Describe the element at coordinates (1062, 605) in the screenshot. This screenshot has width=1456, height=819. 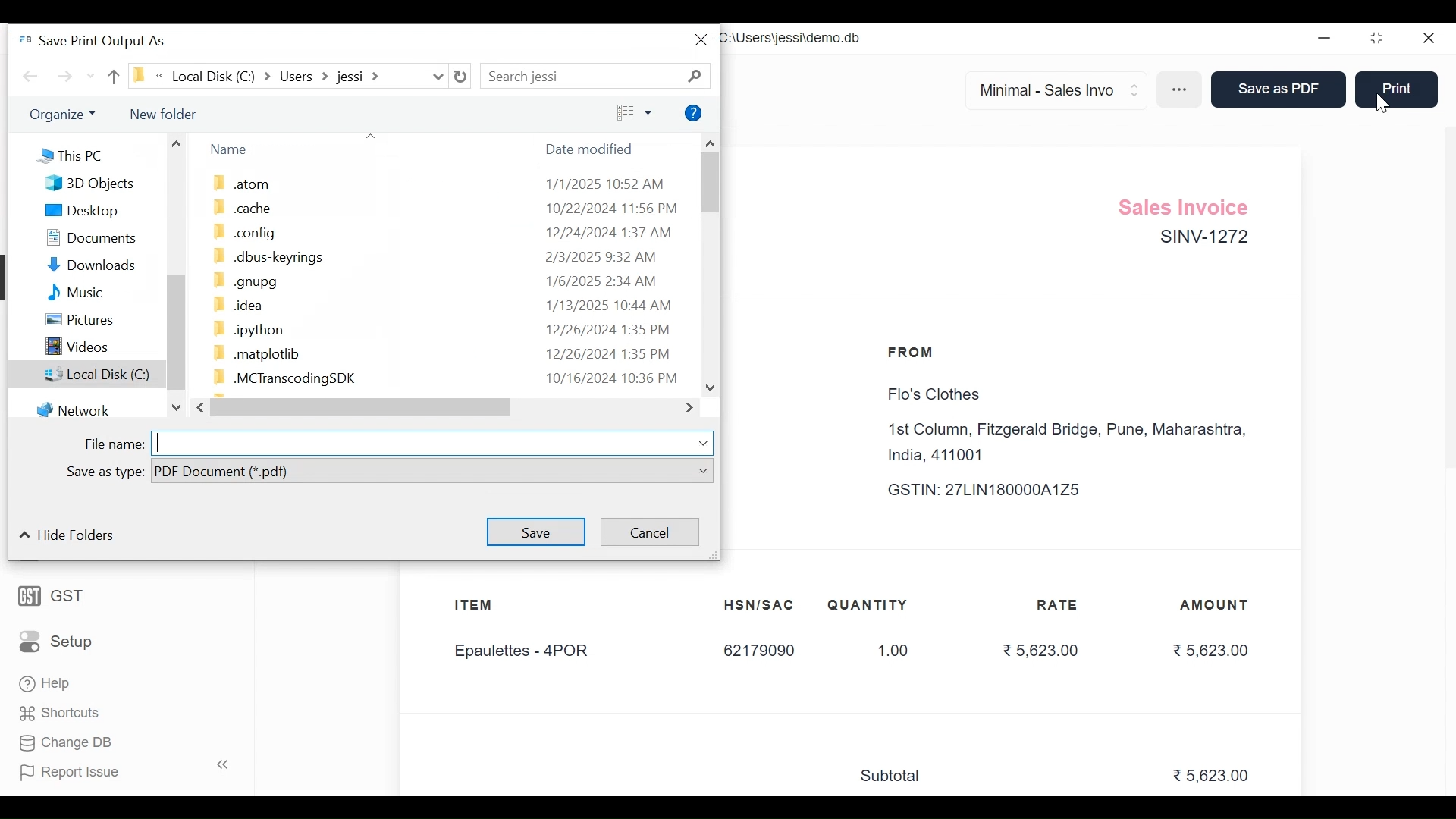
I see `RATE` at that location.